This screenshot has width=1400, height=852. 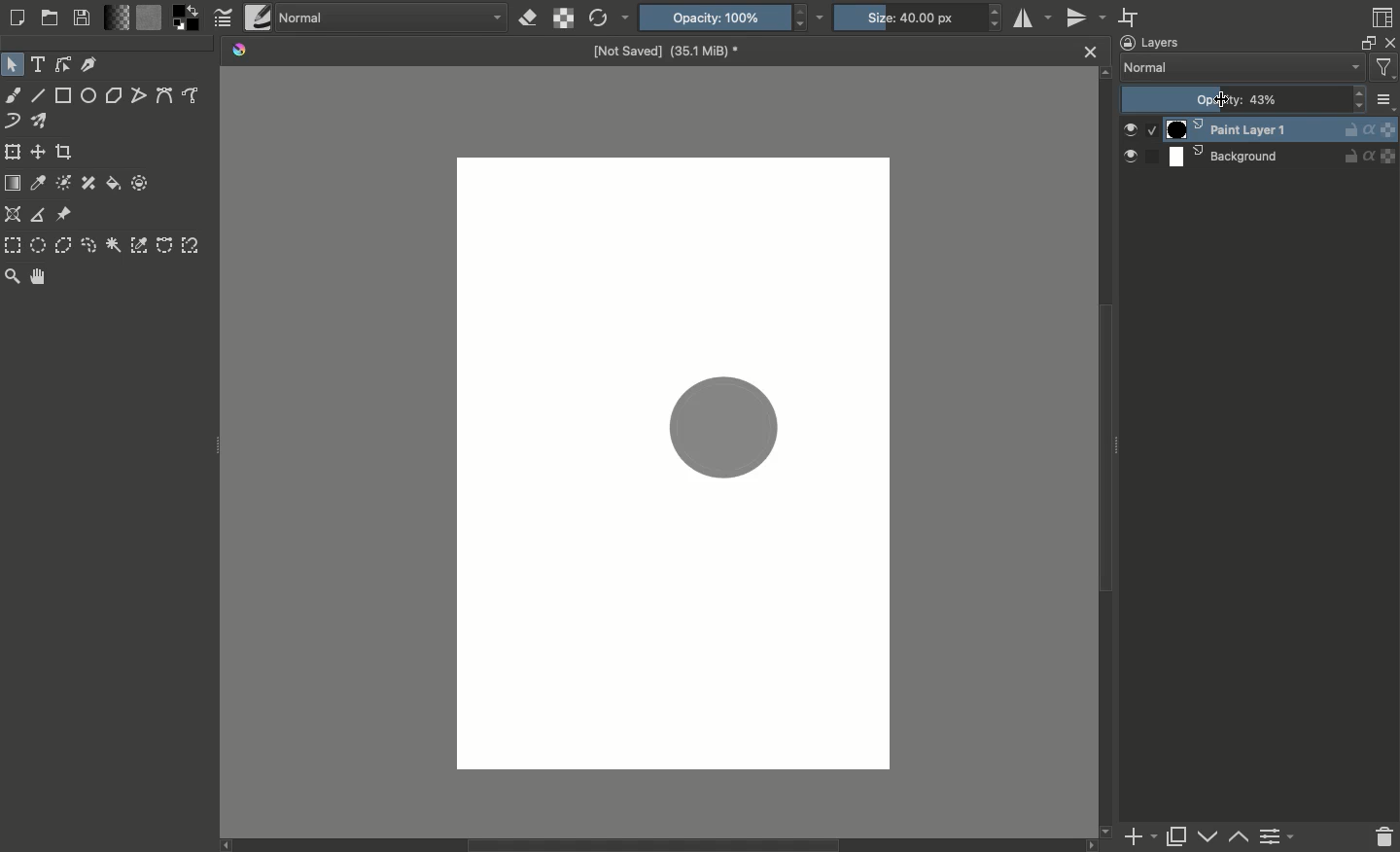 I want to click on alpha, so click(x=1369, y=156).